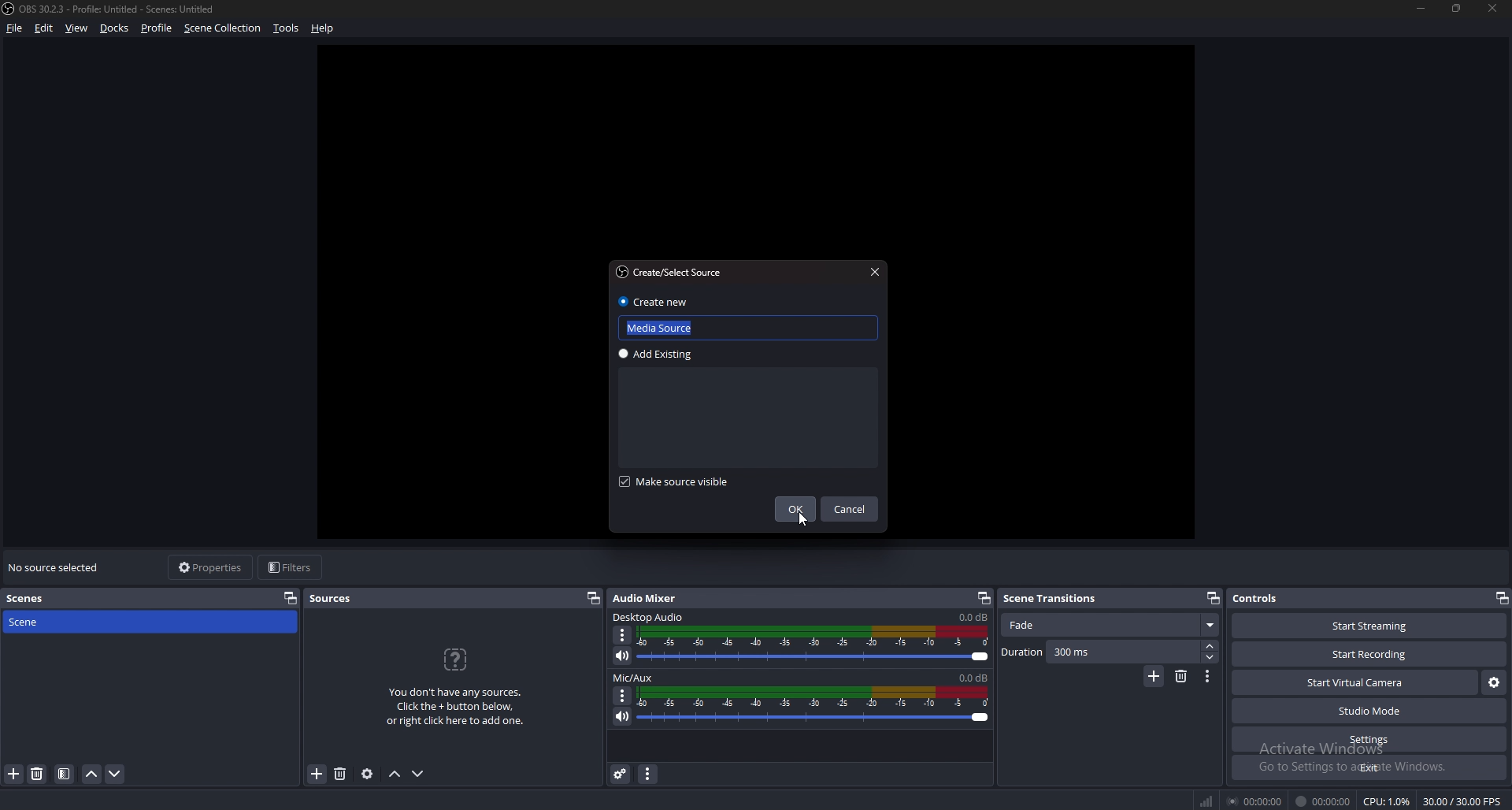 This screenshot has width=1512, height=810. I want to click on Pop out, so click(592, 599).